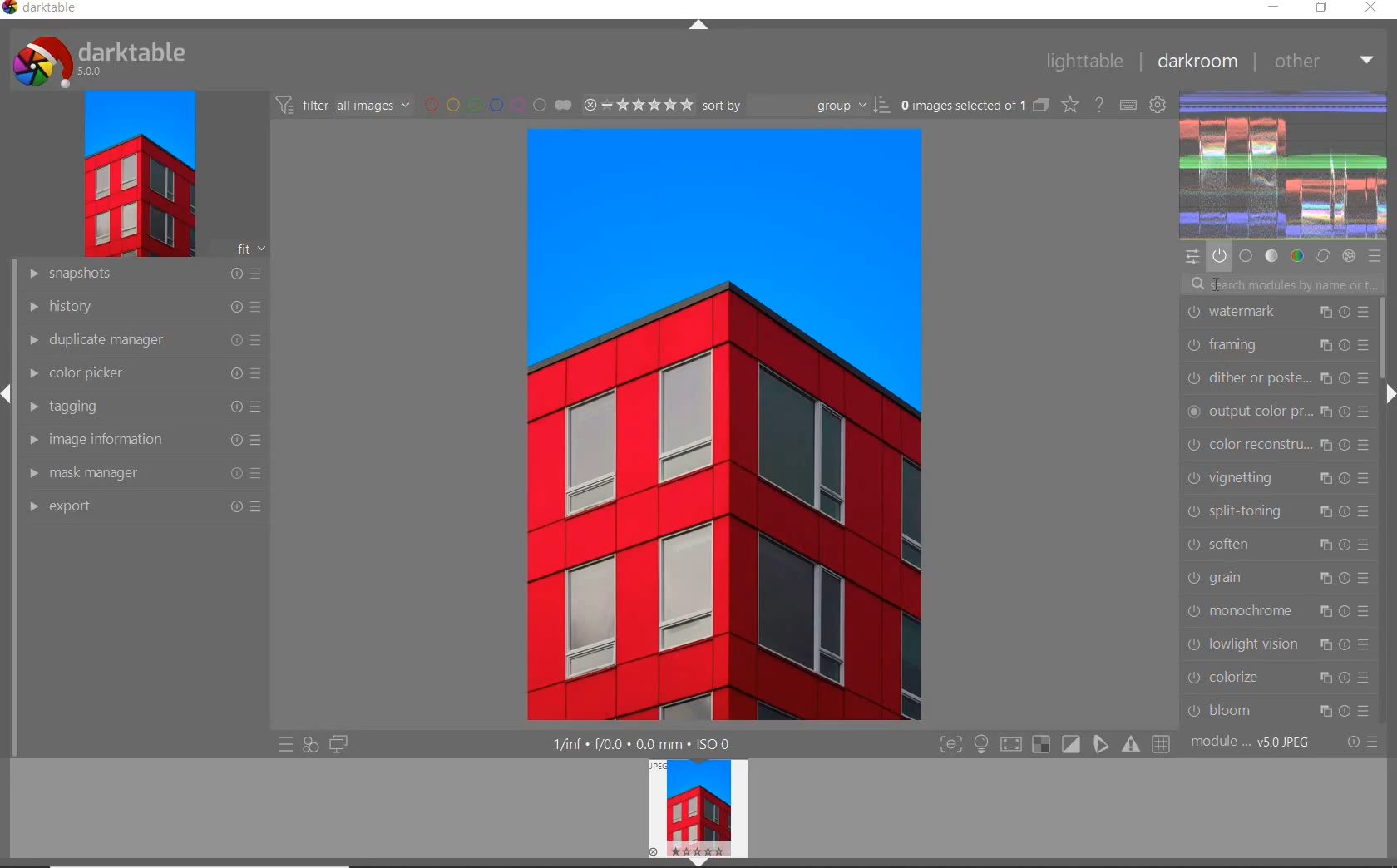  Describe the element at coordinates (141, 308) in the screenshot. I see `history` at that location.